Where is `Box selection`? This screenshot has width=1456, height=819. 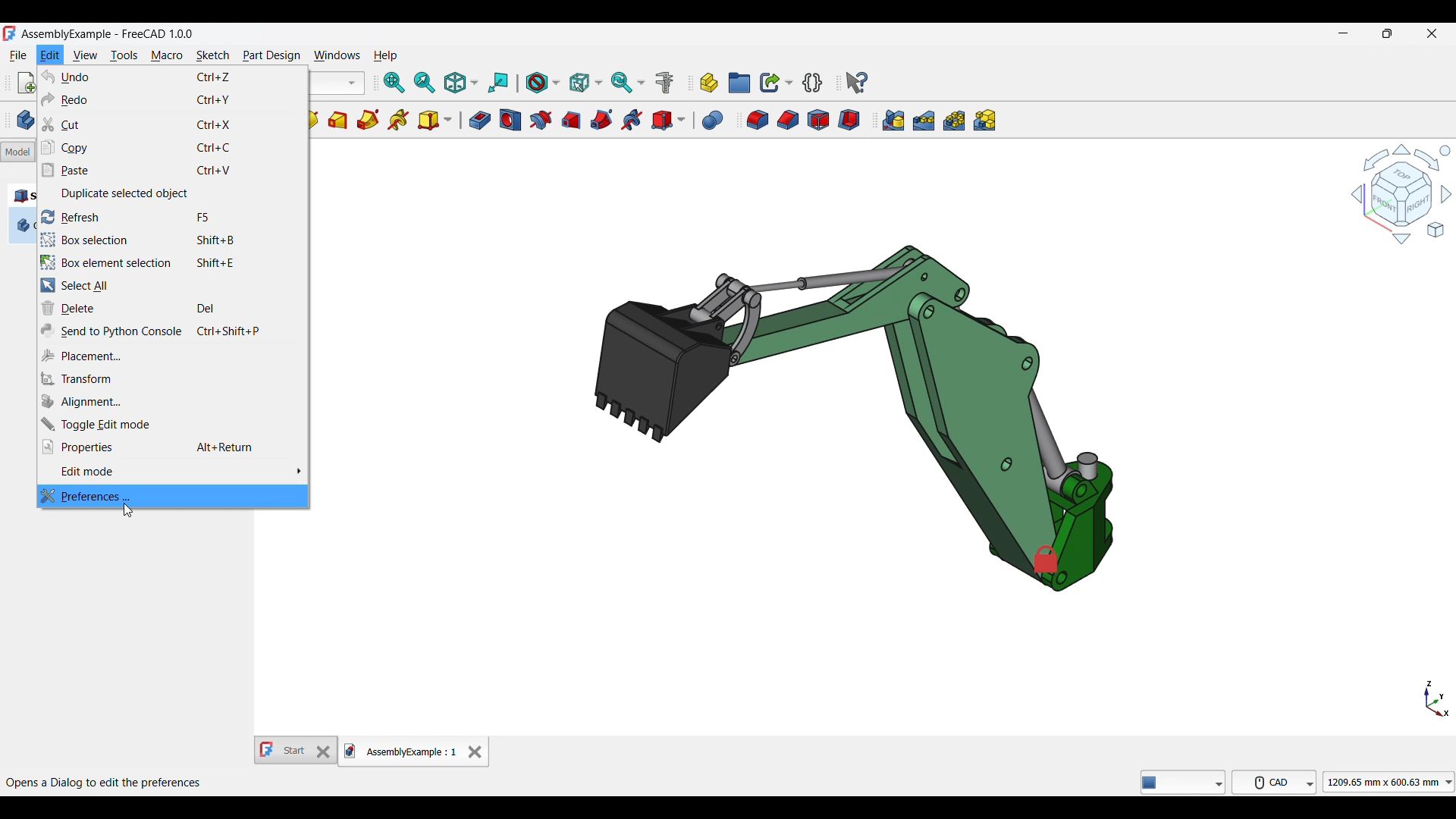 Box selection is located at coordinates (172, 240).